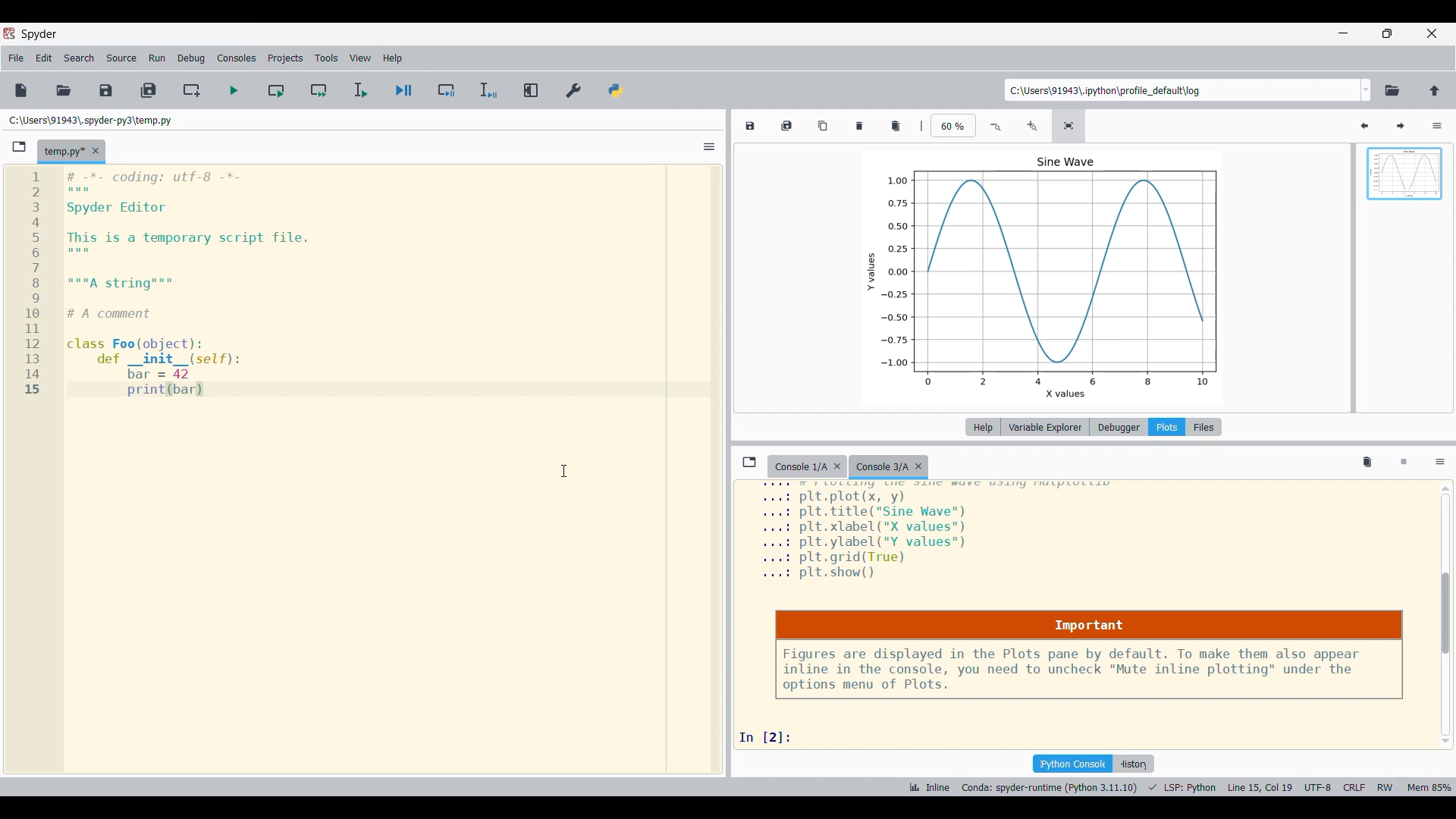 The height and width of the screenshot is (819, 1456). What do you see at coordinates (361, 58) in the screenshot?
I see `View menu` at bounding box center [361, 58].